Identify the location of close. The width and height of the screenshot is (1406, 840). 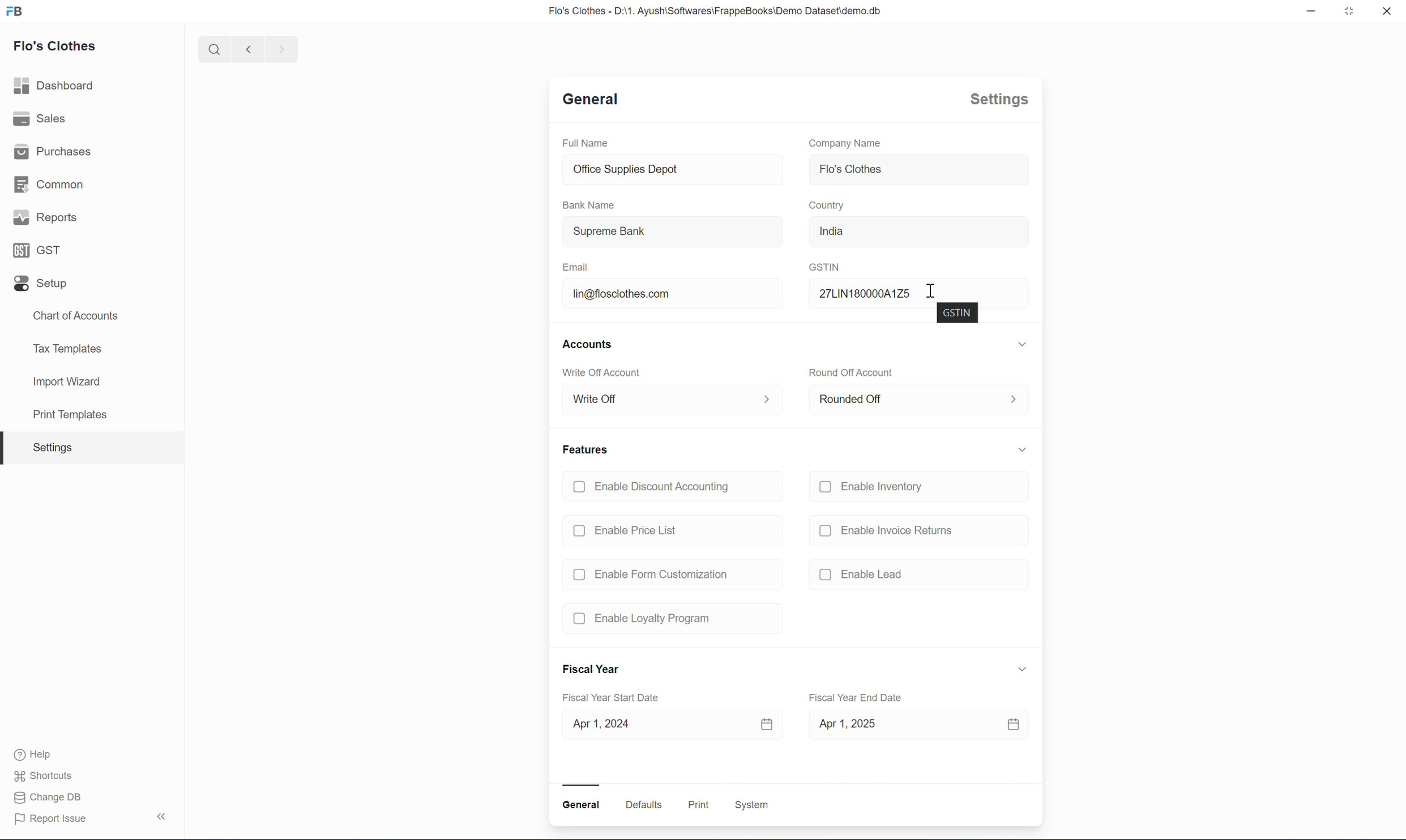
(1386, 10).